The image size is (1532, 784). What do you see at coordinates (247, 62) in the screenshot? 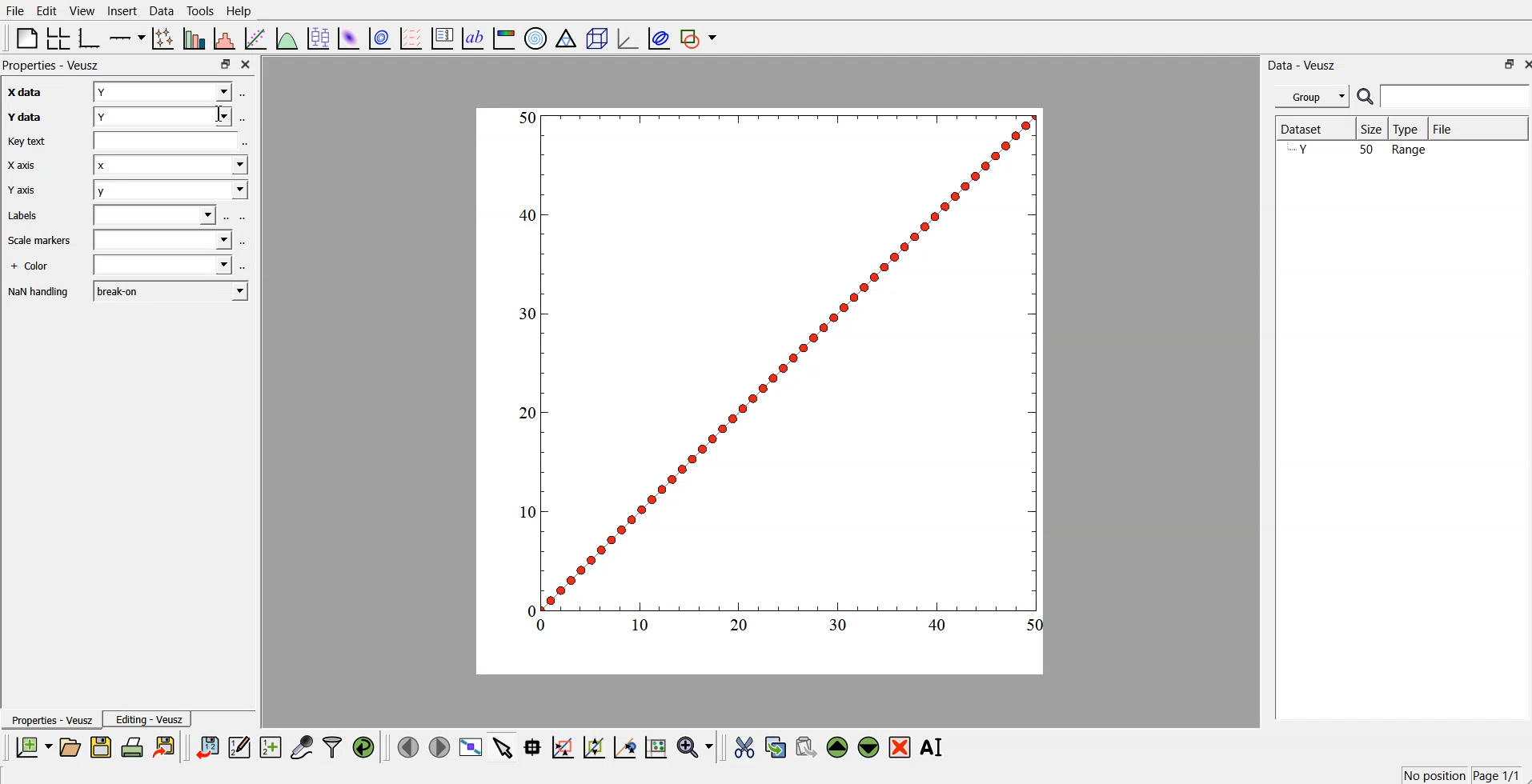
I see `close` at bounding box center [247, 62].